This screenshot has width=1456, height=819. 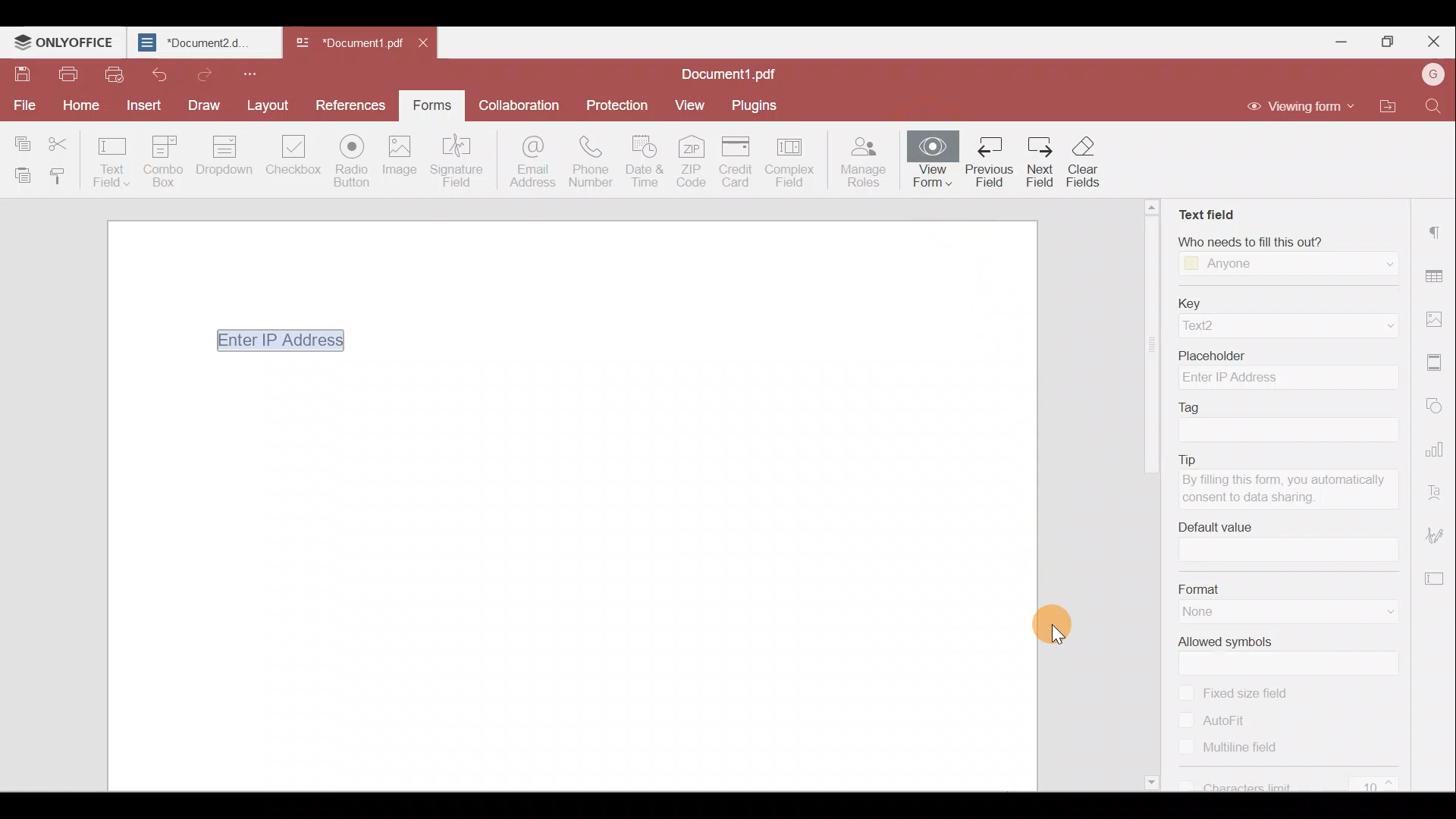 I want to click on checkbox, so click(x=1188, y=748).